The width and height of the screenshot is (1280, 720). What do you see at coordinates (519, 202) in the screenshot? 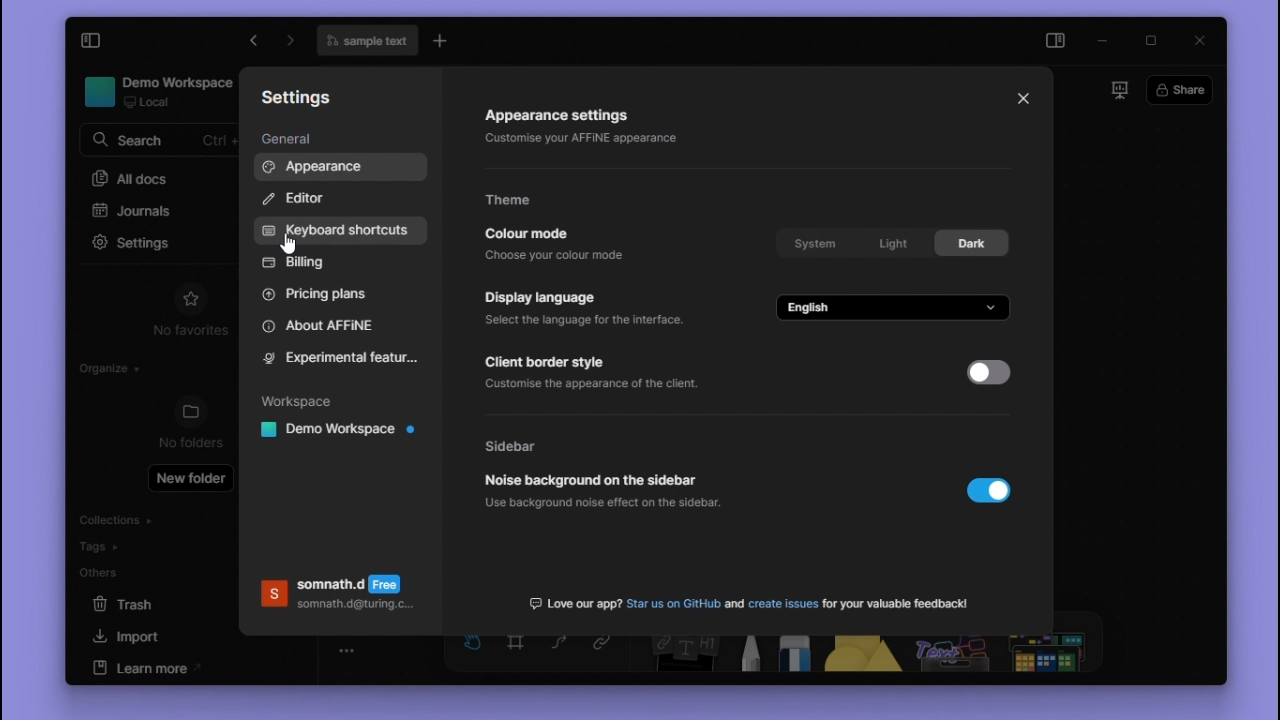
I see `Theme` at bounding box center [519, 202].